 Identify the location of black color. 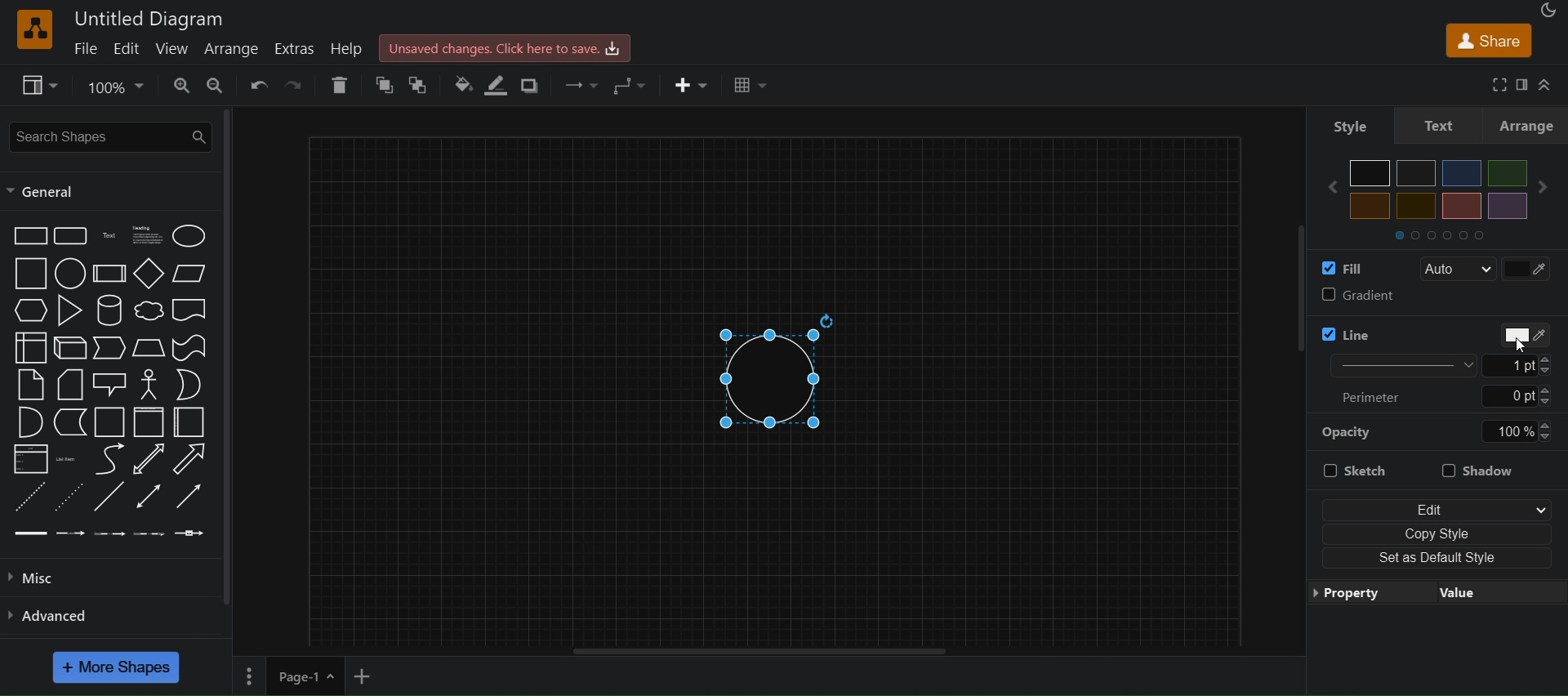
(1370, 173).